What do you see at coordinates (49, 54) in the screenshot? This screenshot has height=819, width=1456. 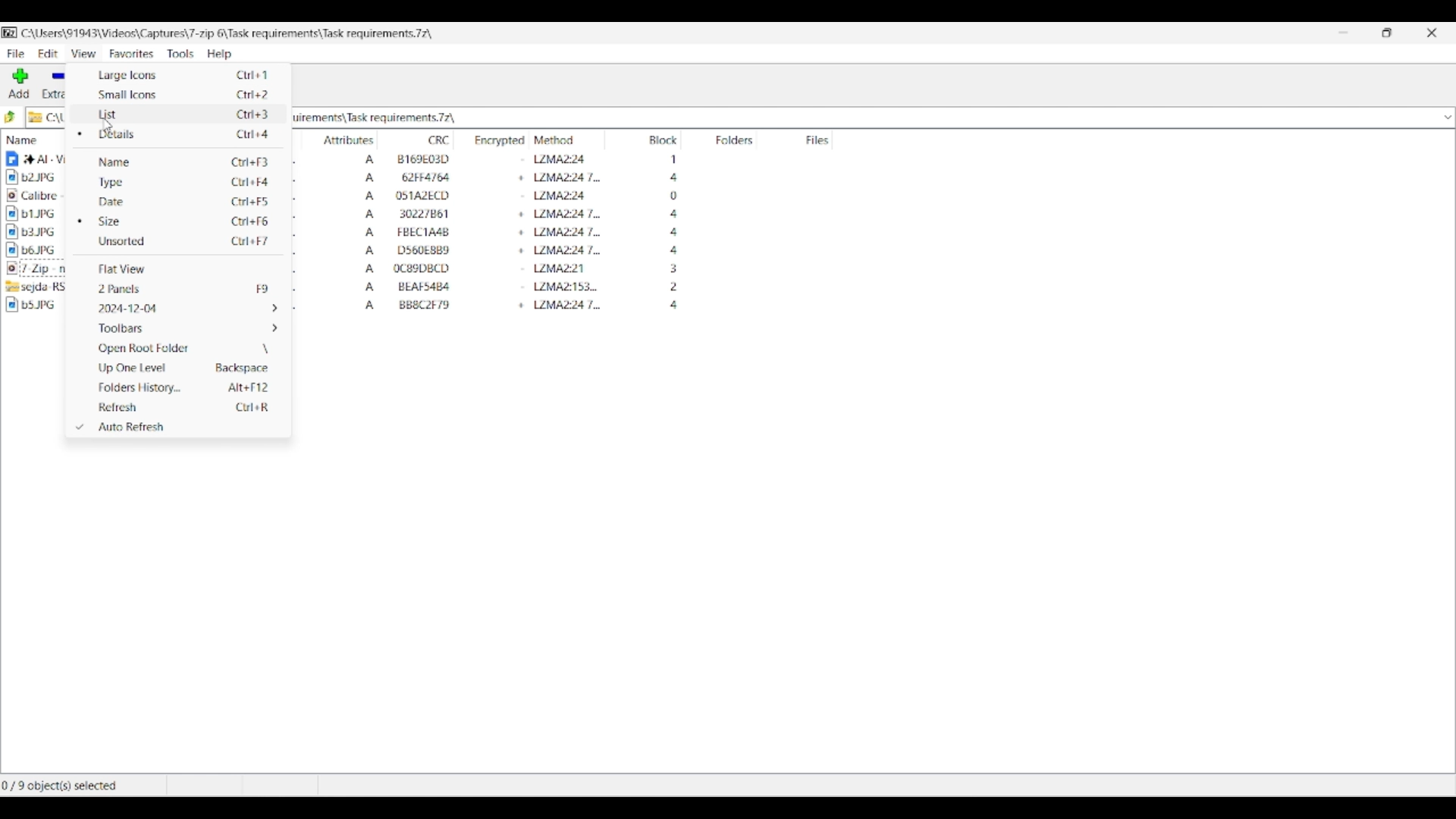 I see `Edit menu` at bounding box center [49, 54].